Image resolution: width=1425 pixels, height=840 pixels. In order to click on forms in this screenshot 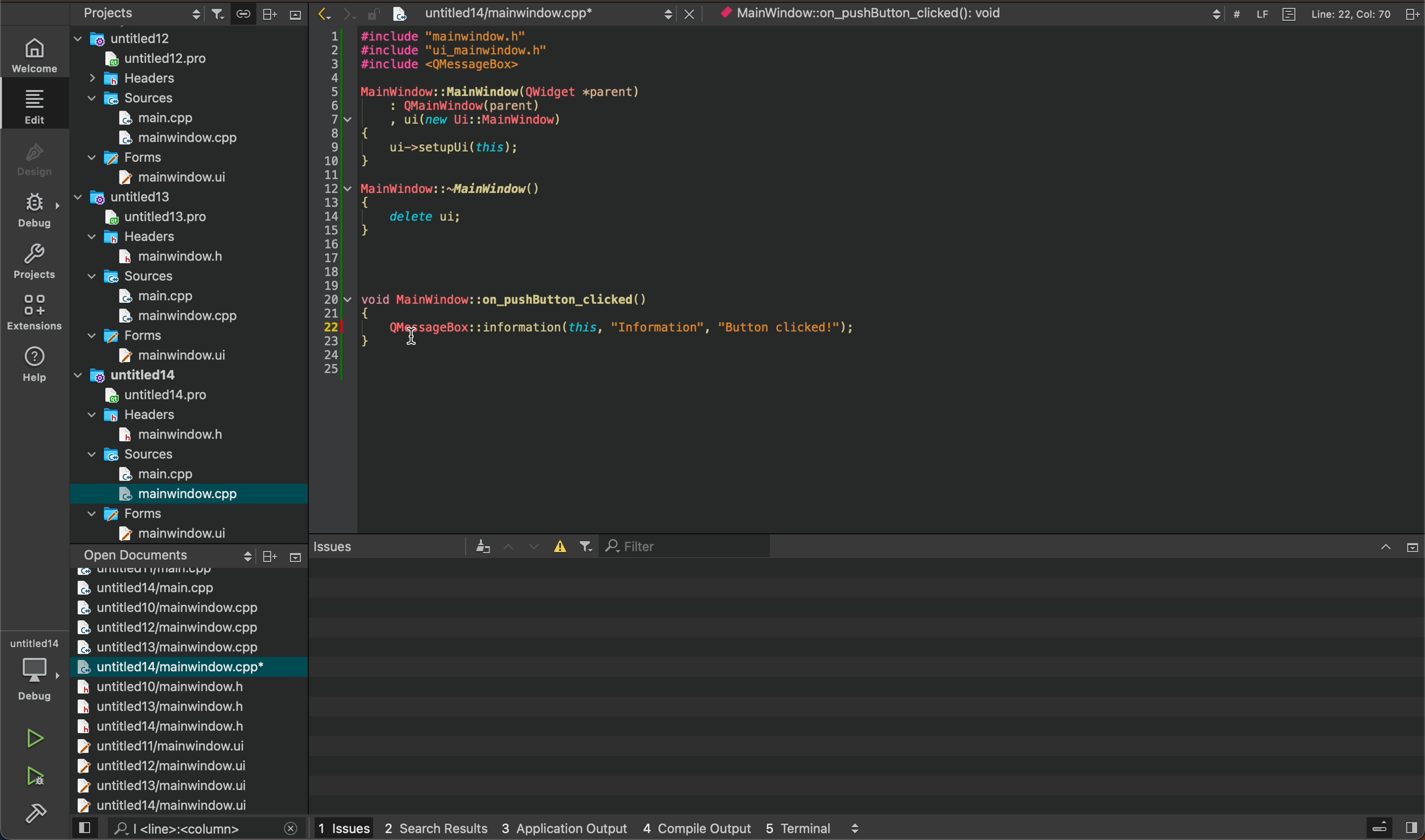, I will do `click(130, 159)`.